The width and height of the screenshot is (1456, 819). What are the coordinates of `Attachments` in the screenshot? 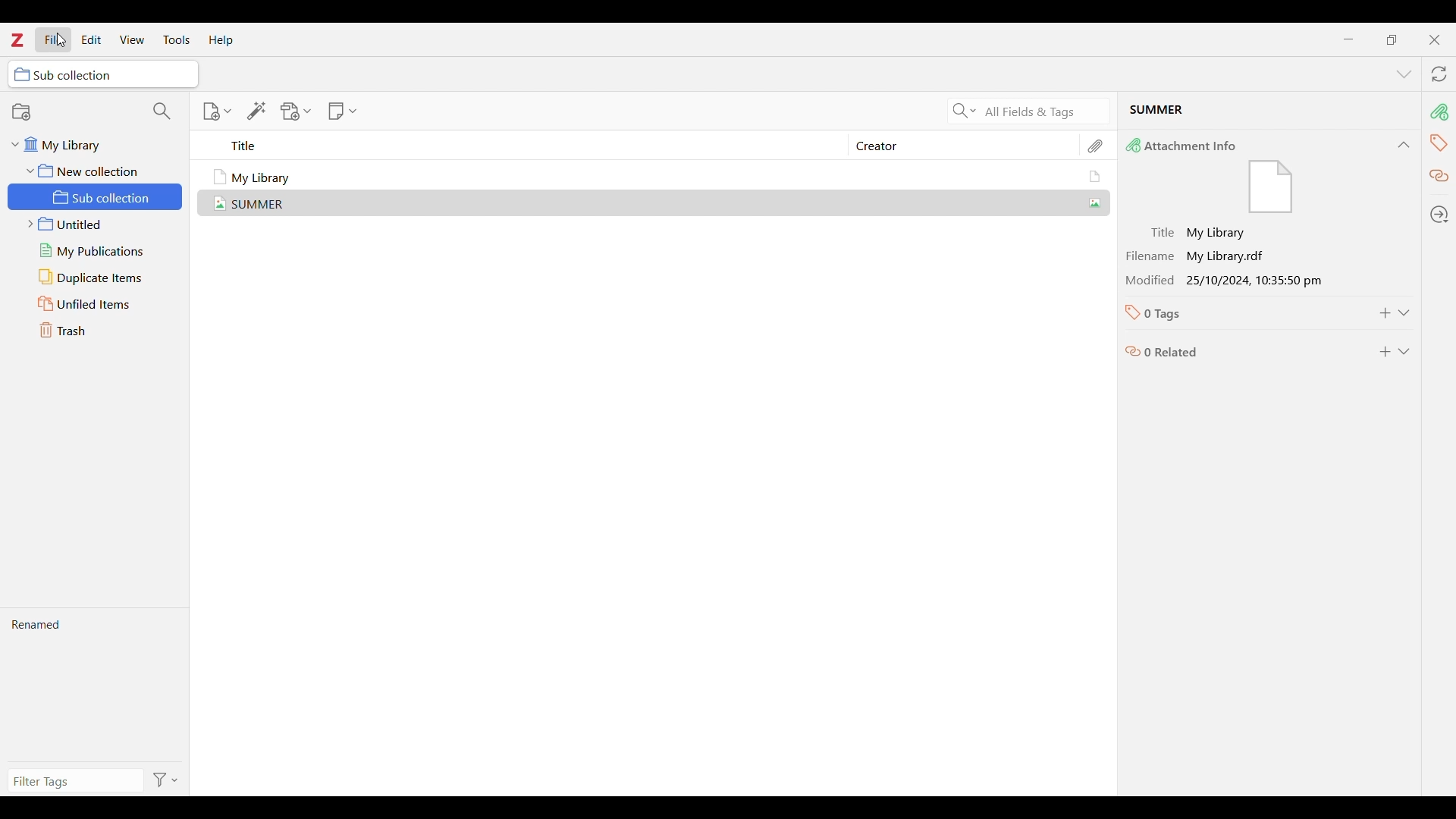 It's located at (1097, 146).